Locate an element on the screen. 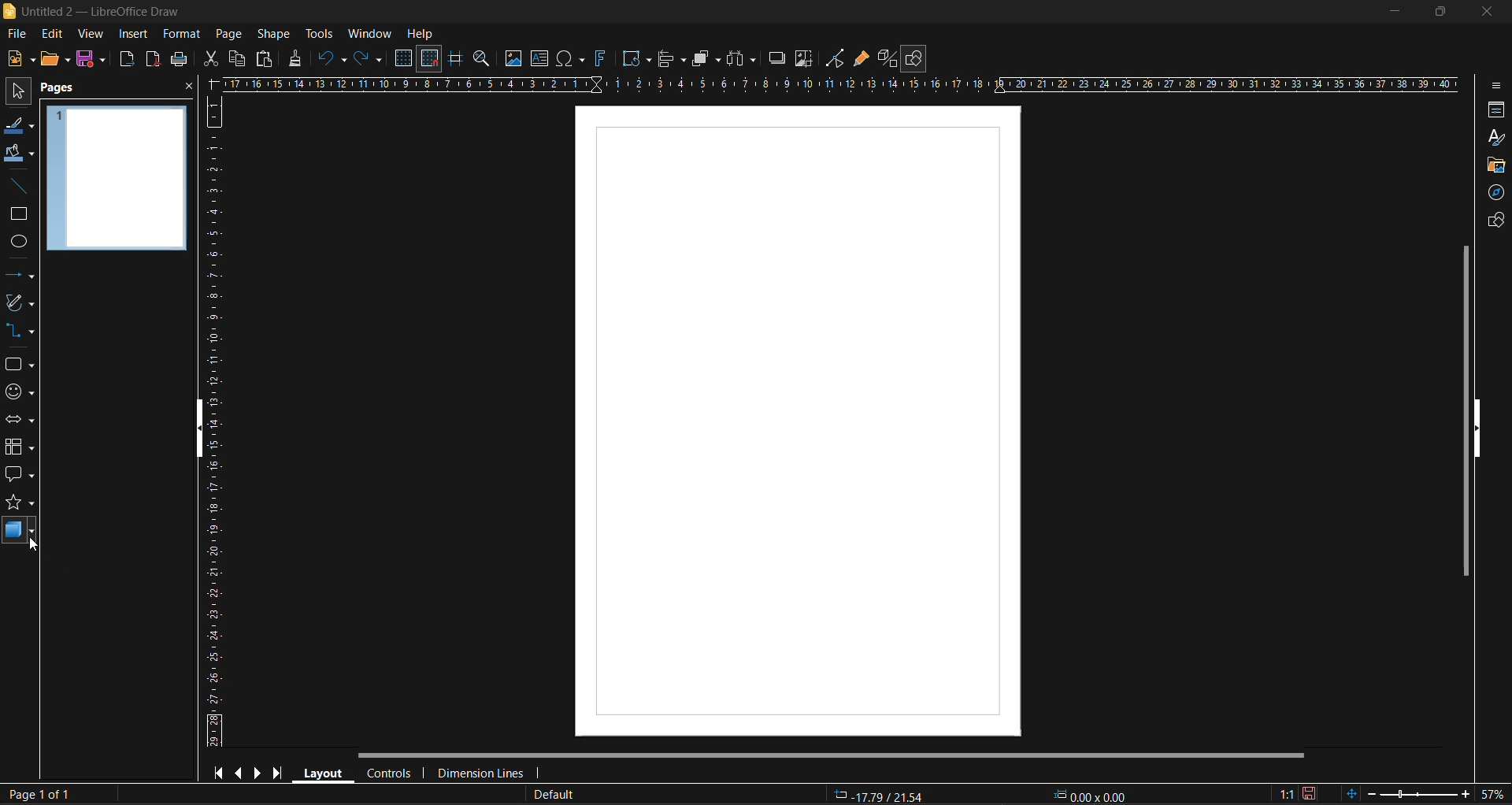  insert line is located at coordinates (18, 186).